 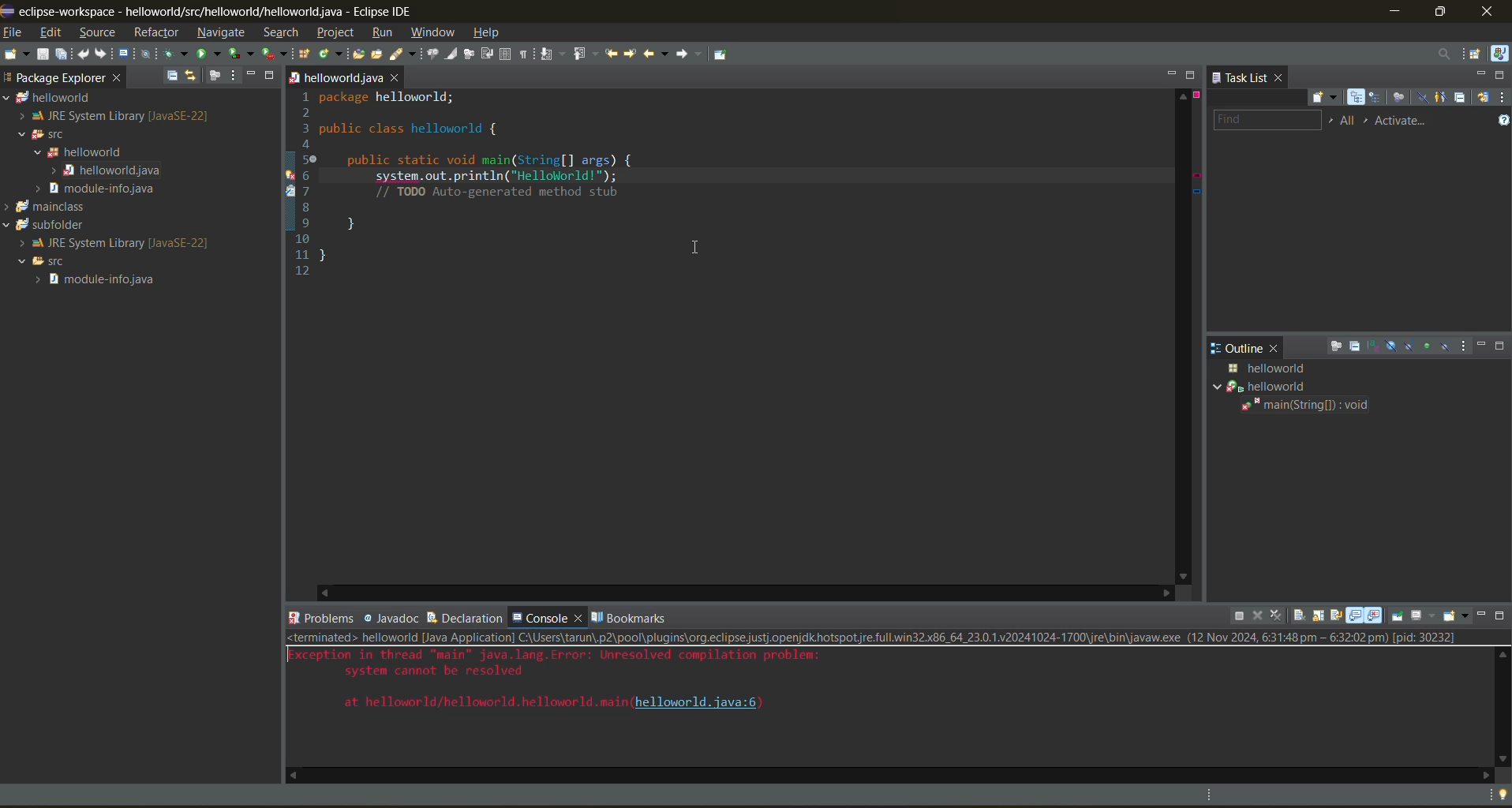 I want to click on save all, so click(x=60, y=55).